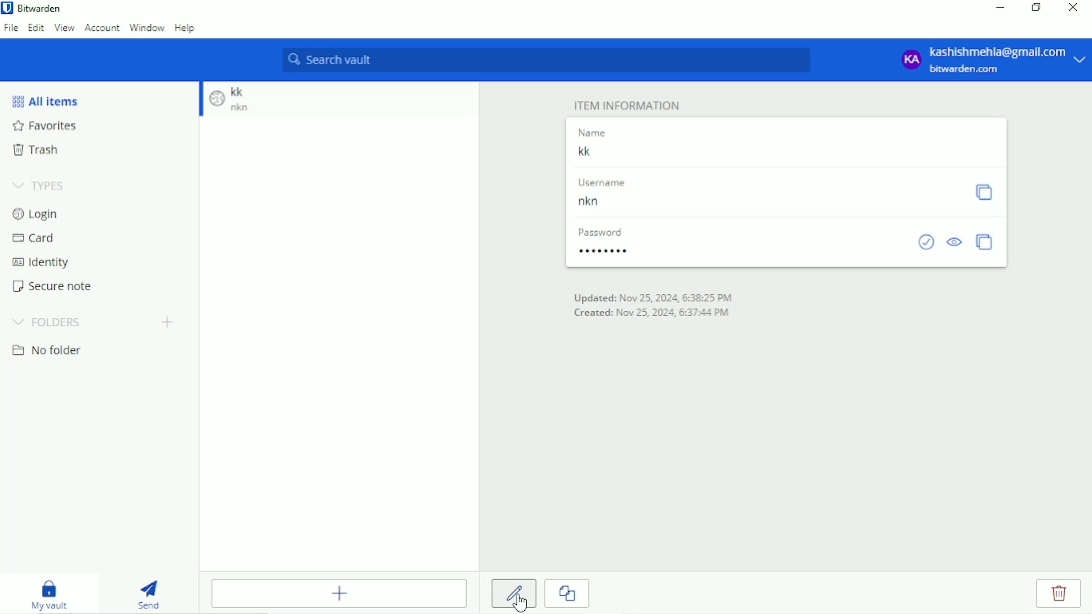  I want to click on Account, so click(103, 27).